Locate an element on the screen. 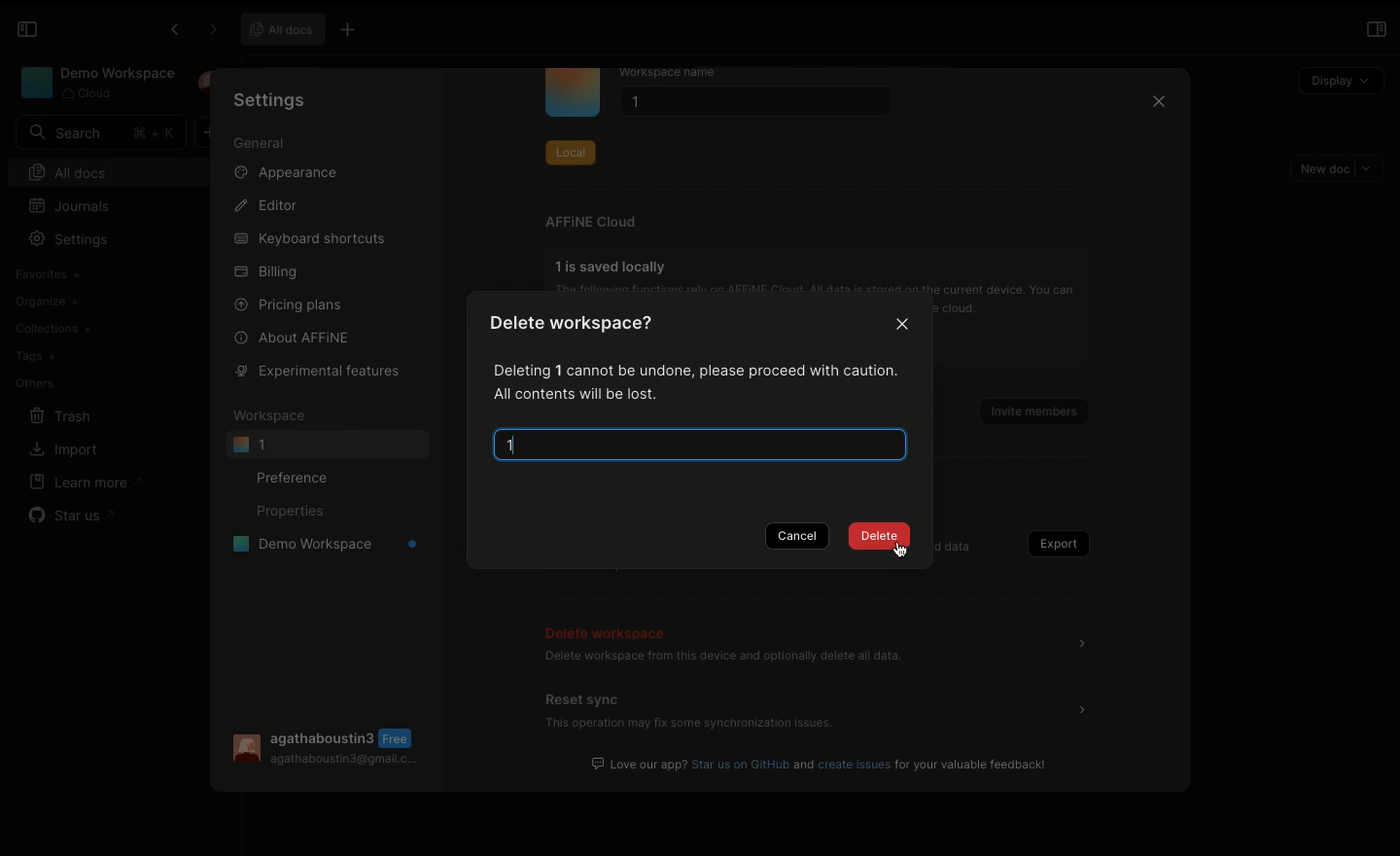 This screenshot has width=1400, height=856. Workspace is located at coordinates (273, 415).